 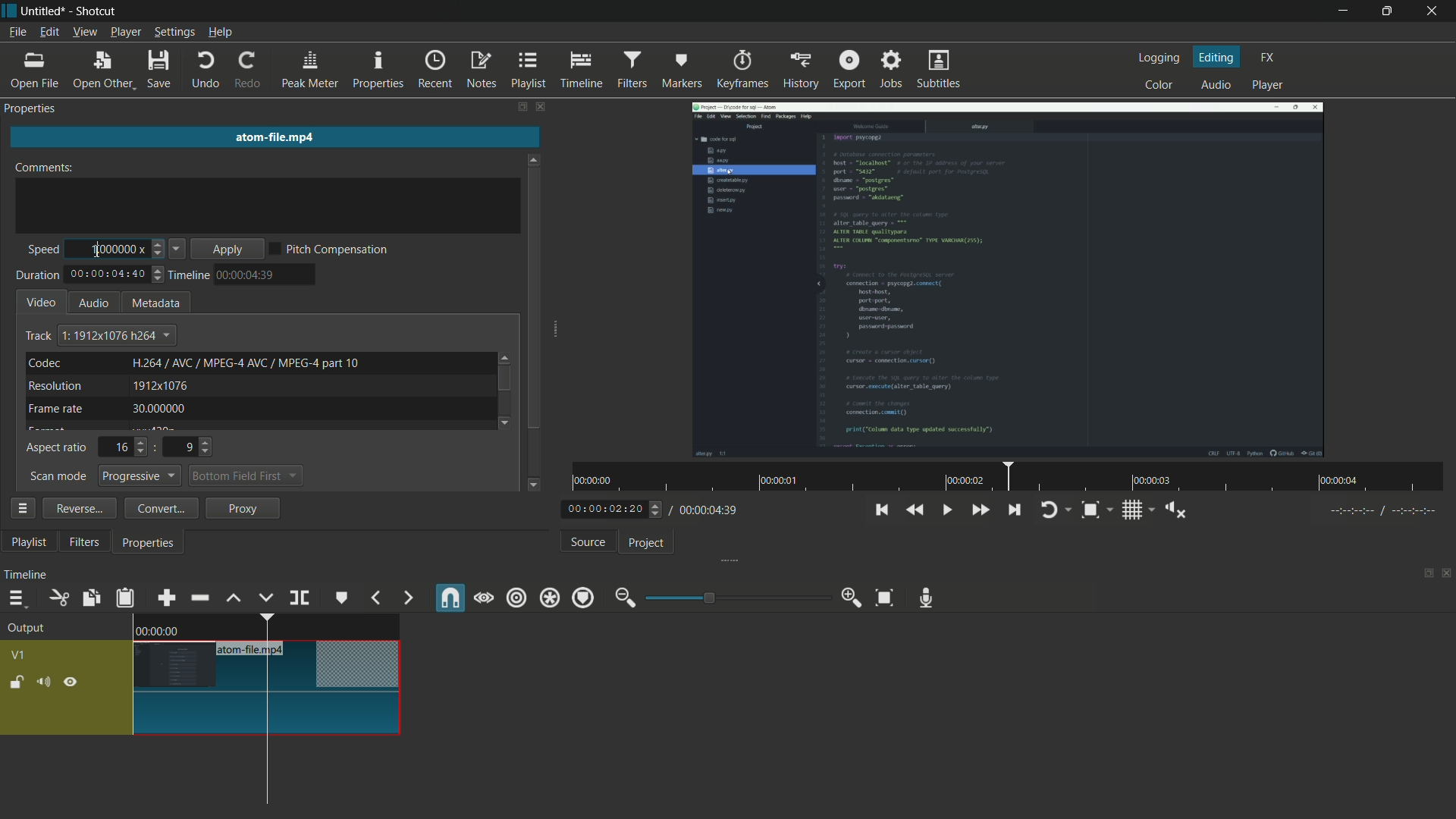 What do you see at coordinates (27, 576) in the screenshot?
I see `timeline` at bounding box center [27, 576].